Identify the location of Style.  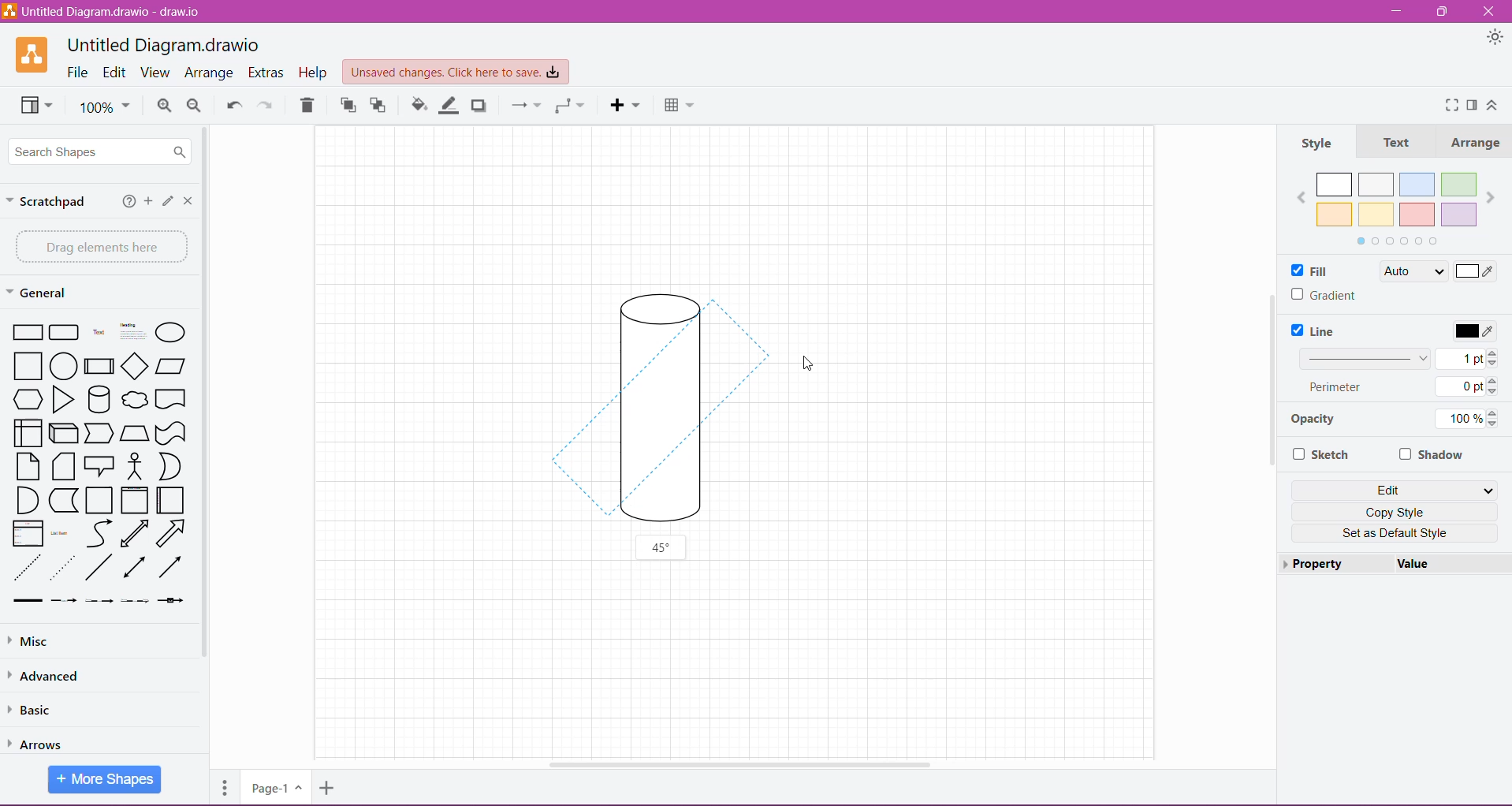
(1328, 141).